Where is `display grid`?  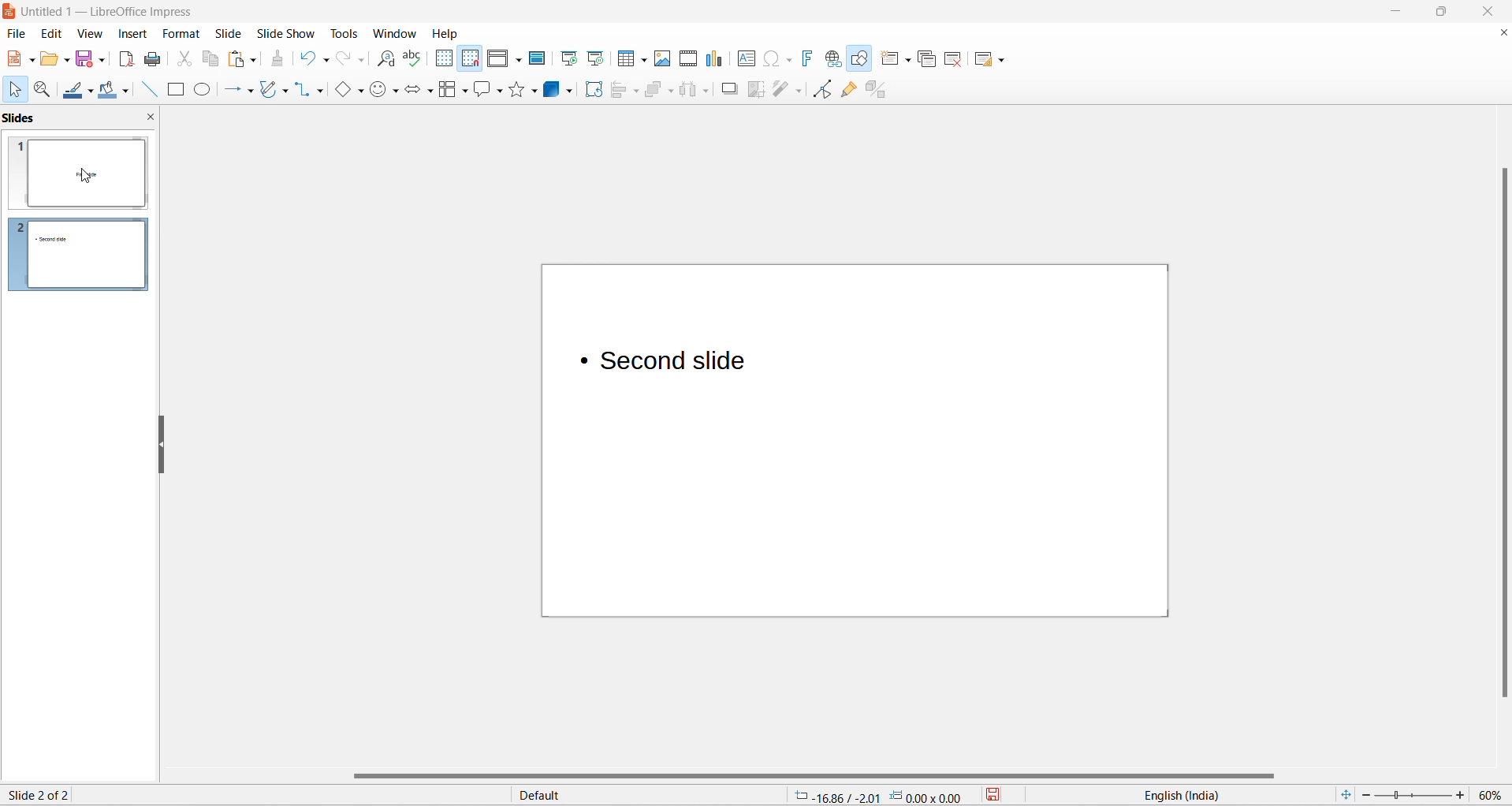
display grid is located at coordinates (443, 58).